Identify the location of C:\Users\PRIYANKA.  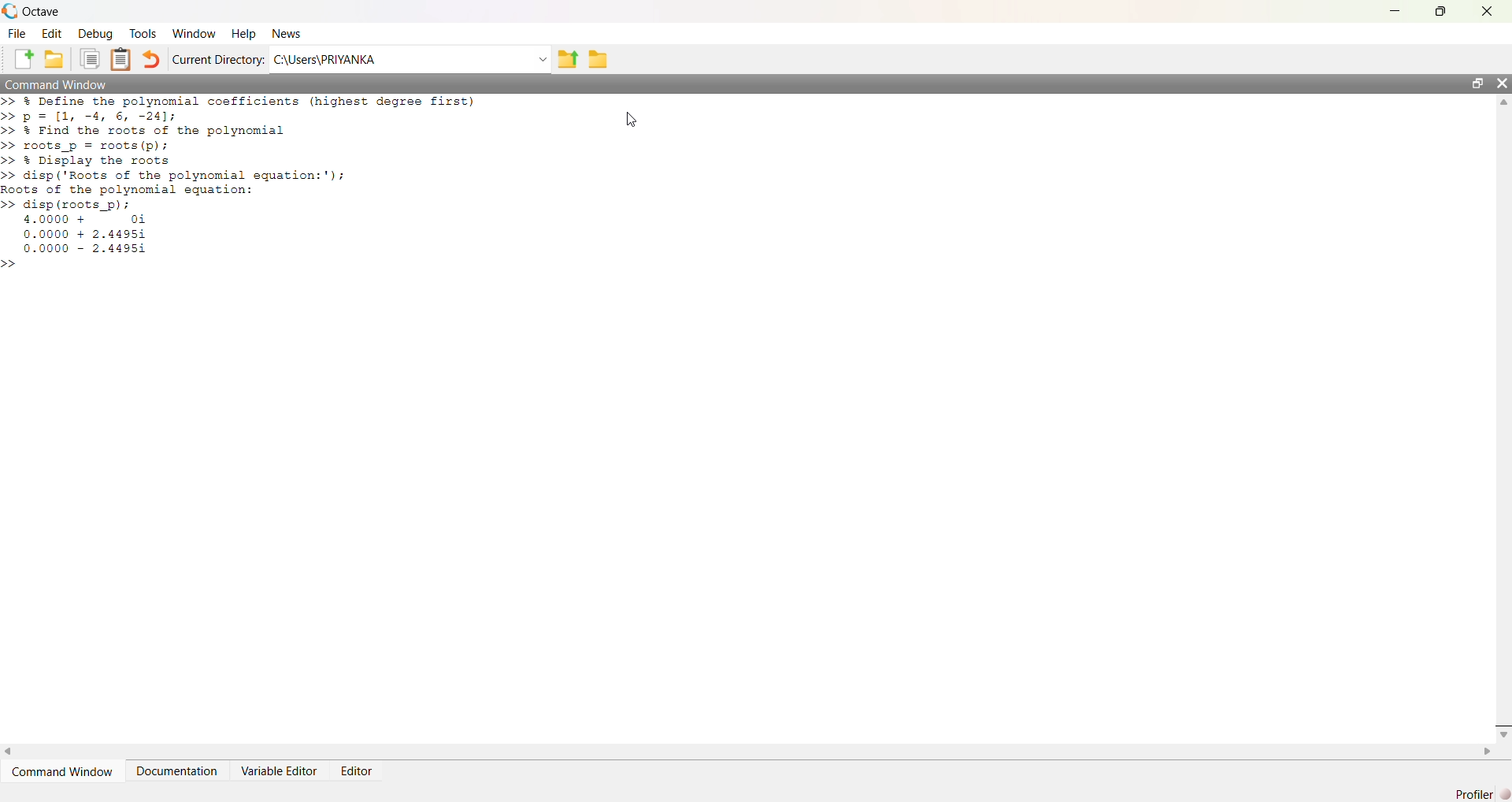
(411, 60).